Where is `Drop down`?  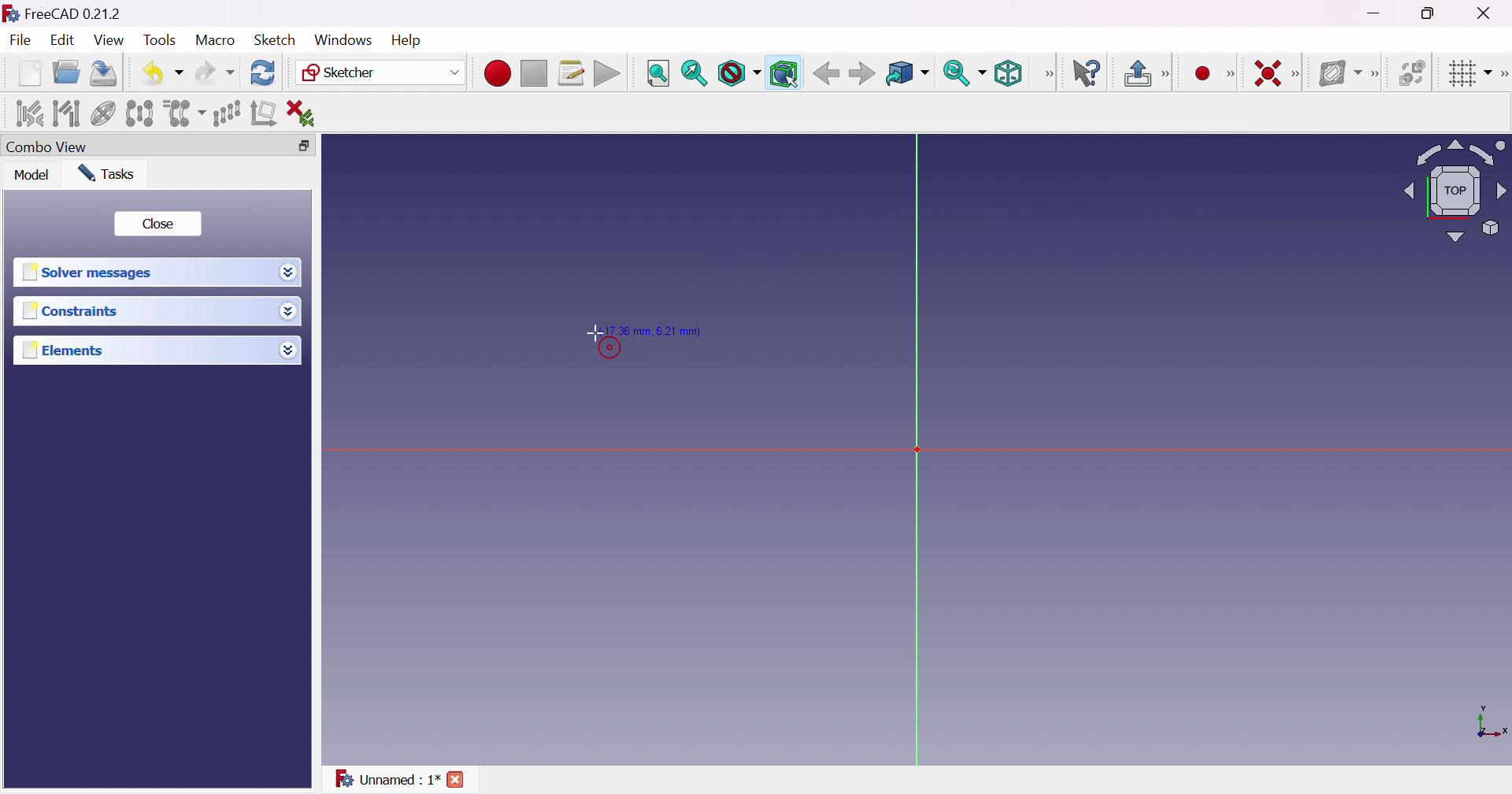
Drop down is located at coordinates (288, 274).